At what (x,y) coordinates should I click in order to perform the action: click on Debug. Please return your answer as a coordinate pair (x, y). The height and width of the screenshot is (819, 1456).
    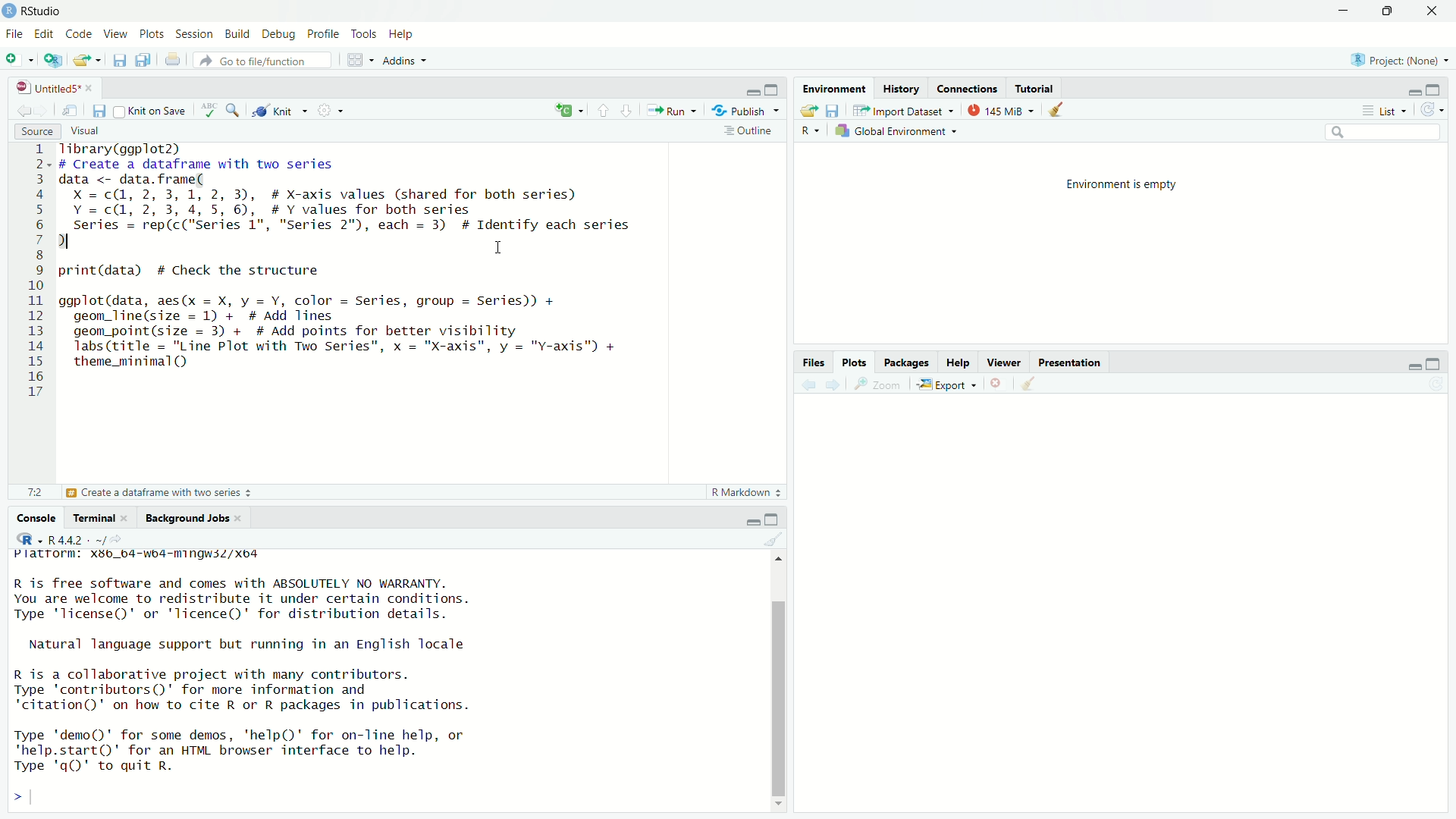
    Looking at the image, I should click on (279, 36).